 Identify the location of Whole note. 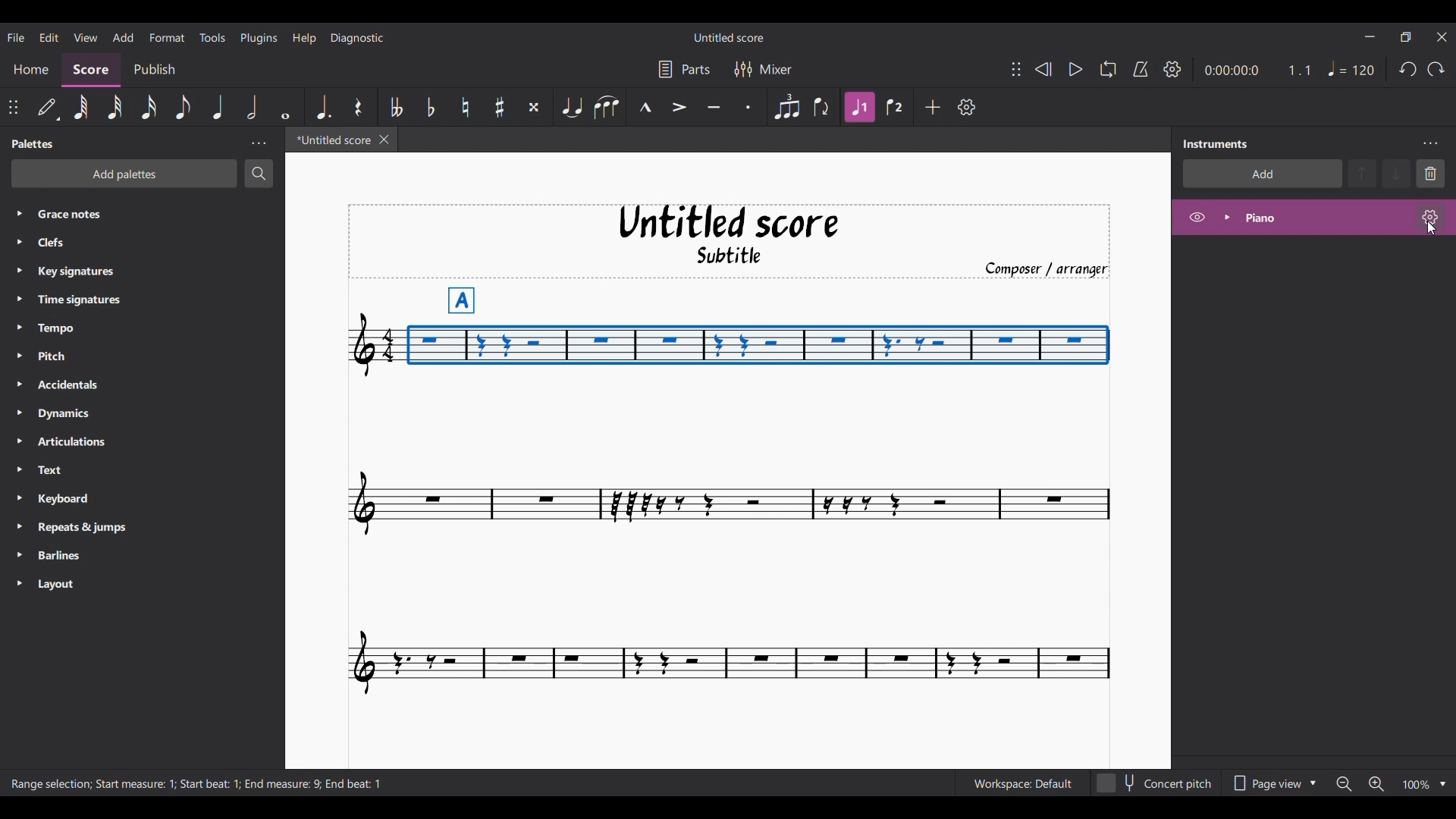
(285, 107).